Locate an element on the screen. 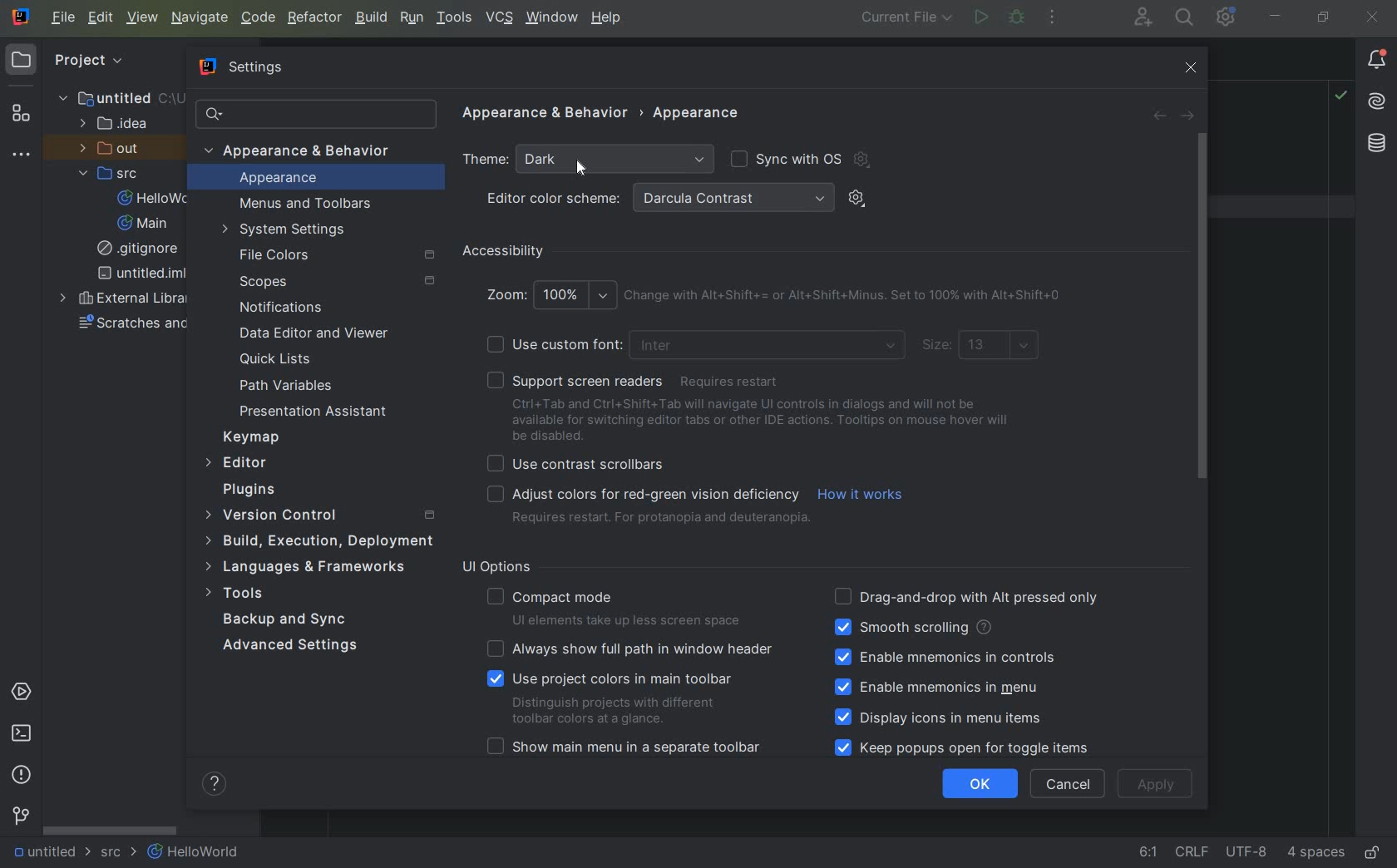 The height and width of the screenshot is (868, 1397). notifications is located at coordinates (1376, 60).